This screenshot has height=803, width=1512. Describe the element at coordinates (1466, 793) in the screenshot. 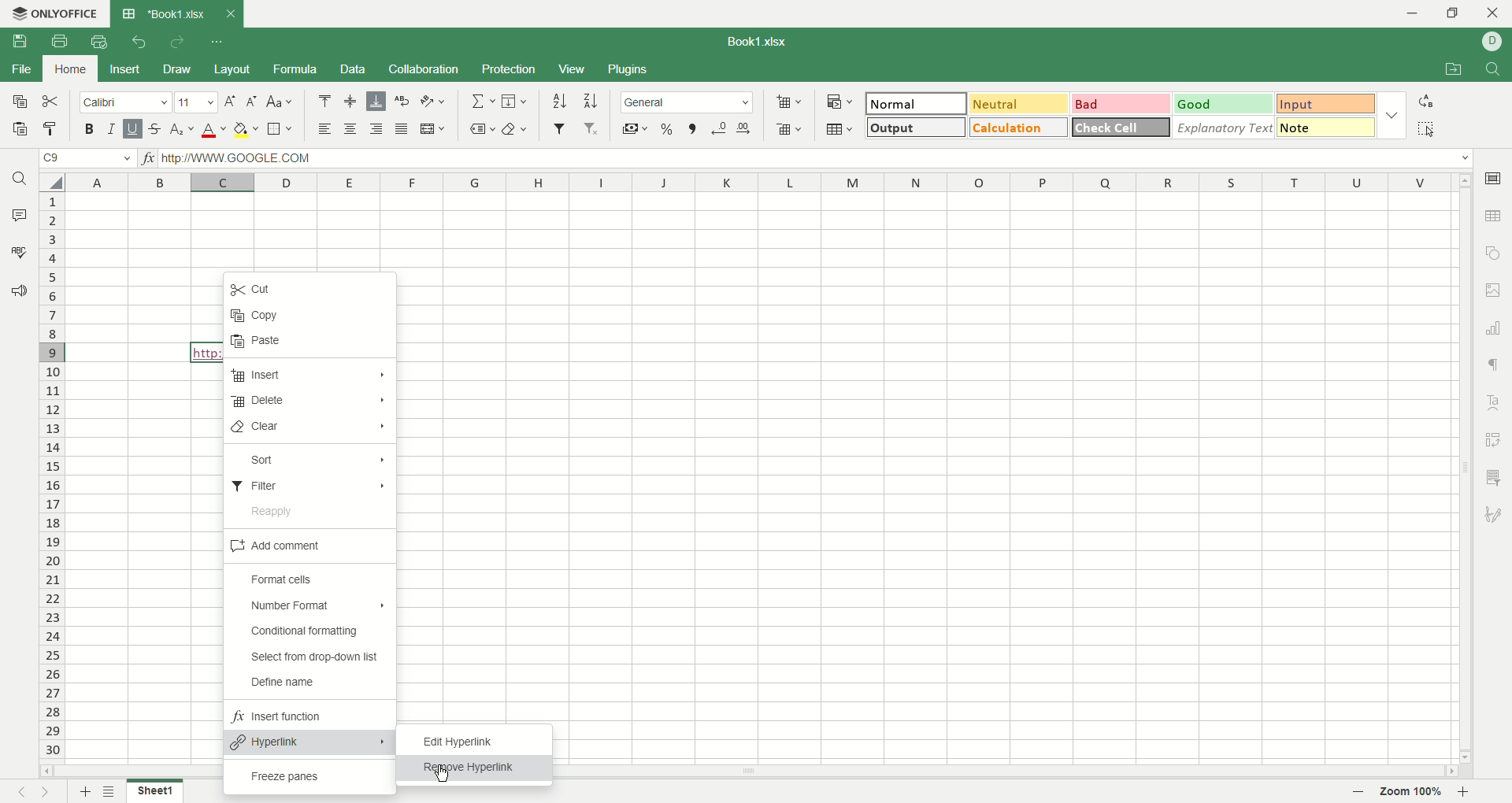

I see `zoom out` at that location.